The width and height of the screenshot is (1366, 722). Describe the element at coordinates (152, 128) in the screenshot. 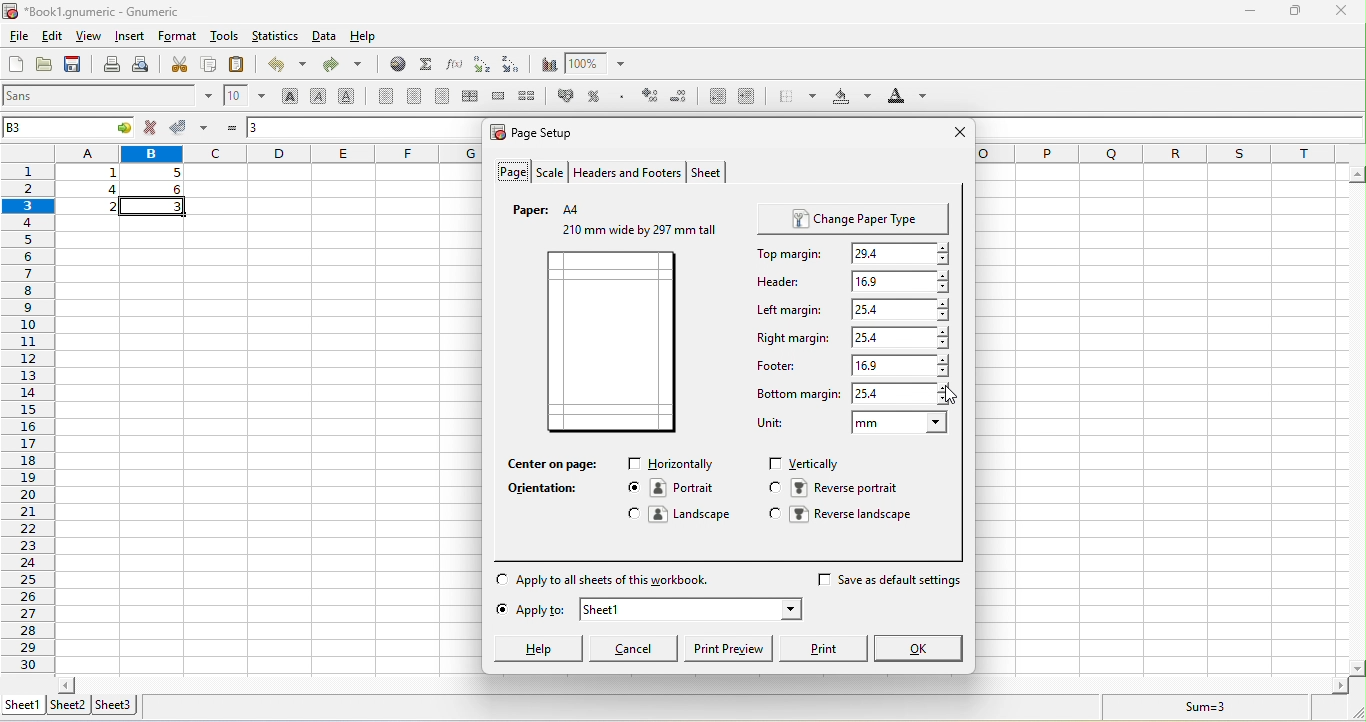

I see `cancel change` at that location.